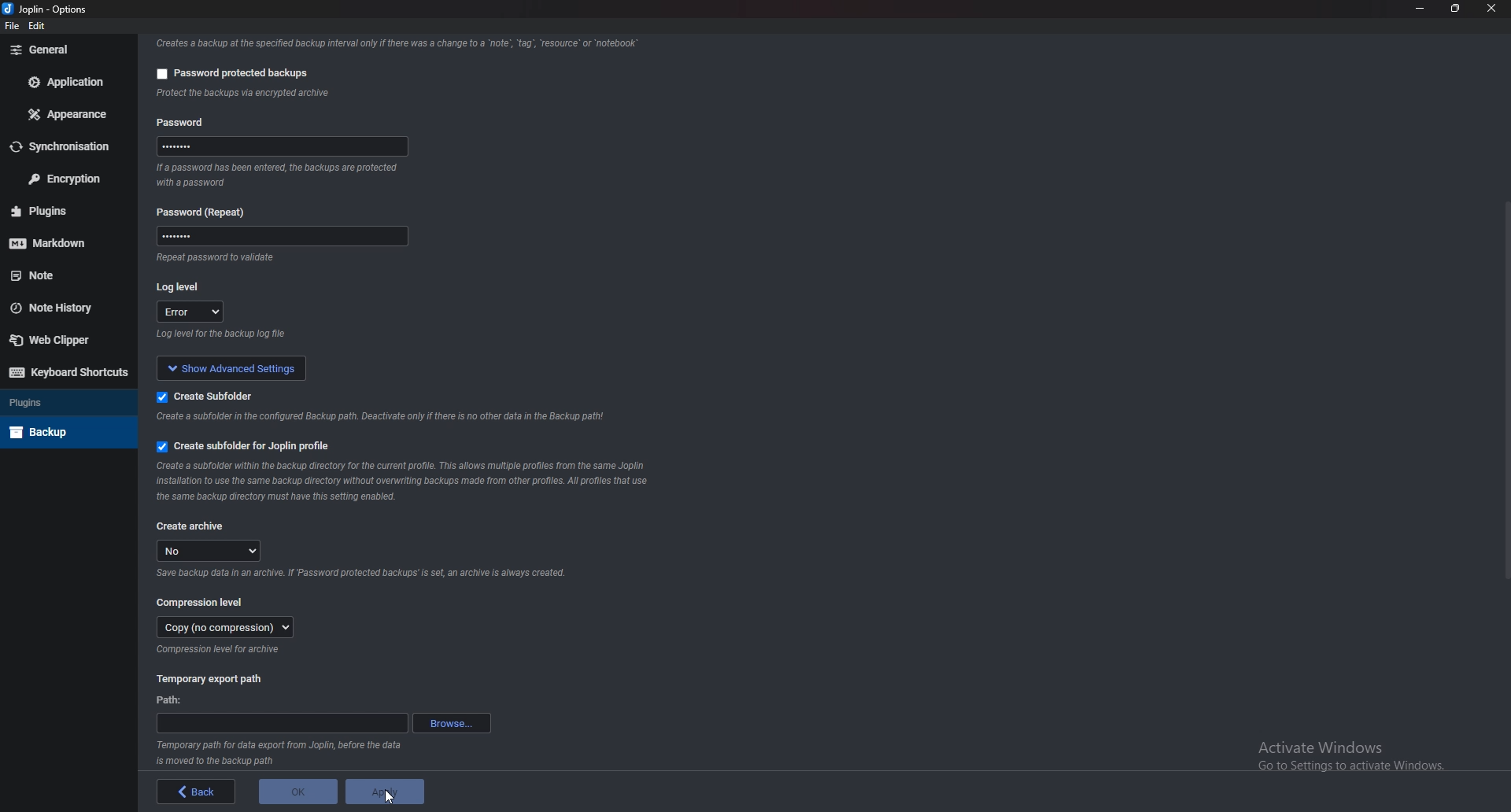 This screenshot has width=1511, height=812. I want to click on Keyboard shortcuts, so click(65, 373).